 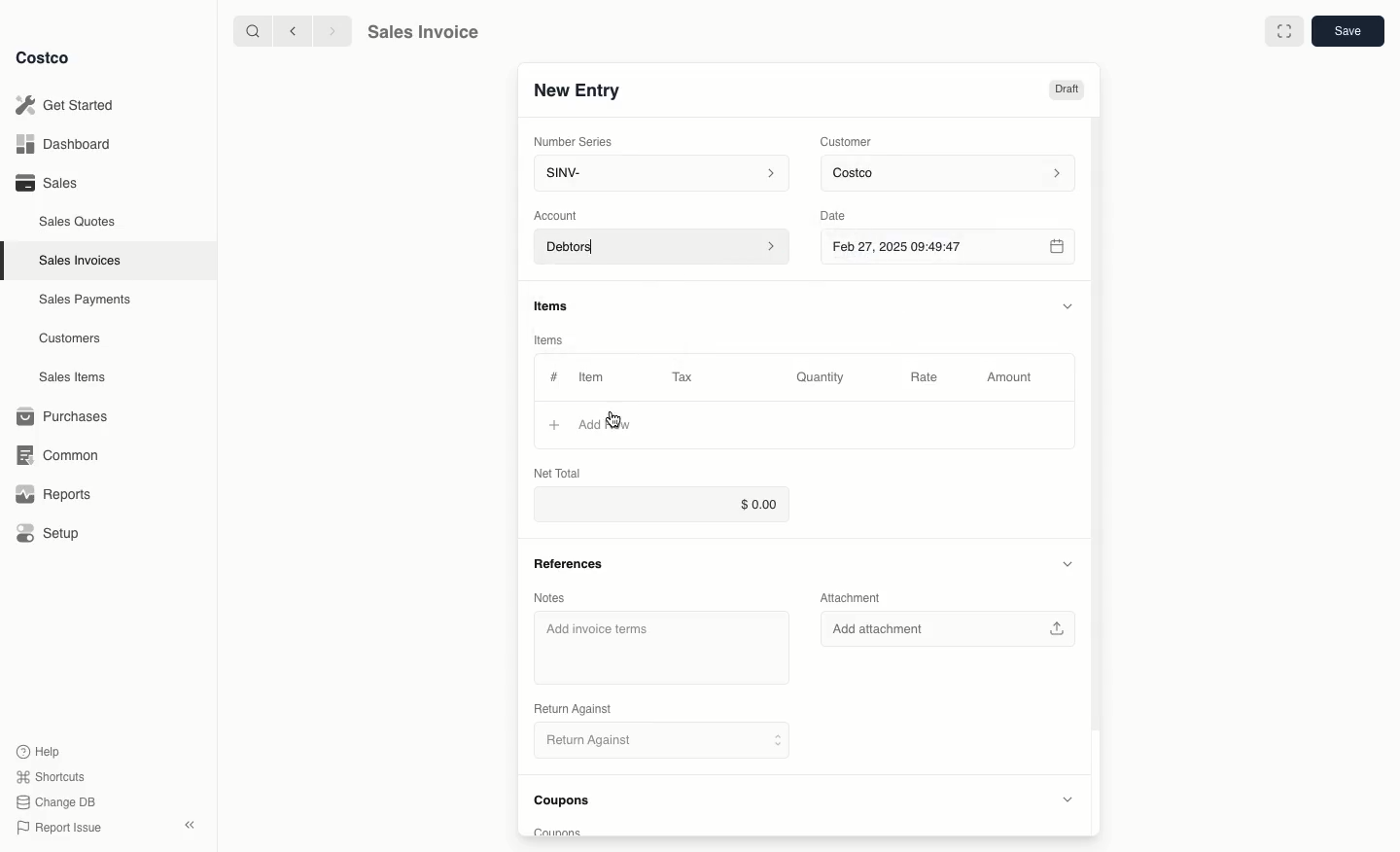 What do you see at coordinates (657, 175) in the screenshot?
I see `SINV-` at bounding box center [657, 175].